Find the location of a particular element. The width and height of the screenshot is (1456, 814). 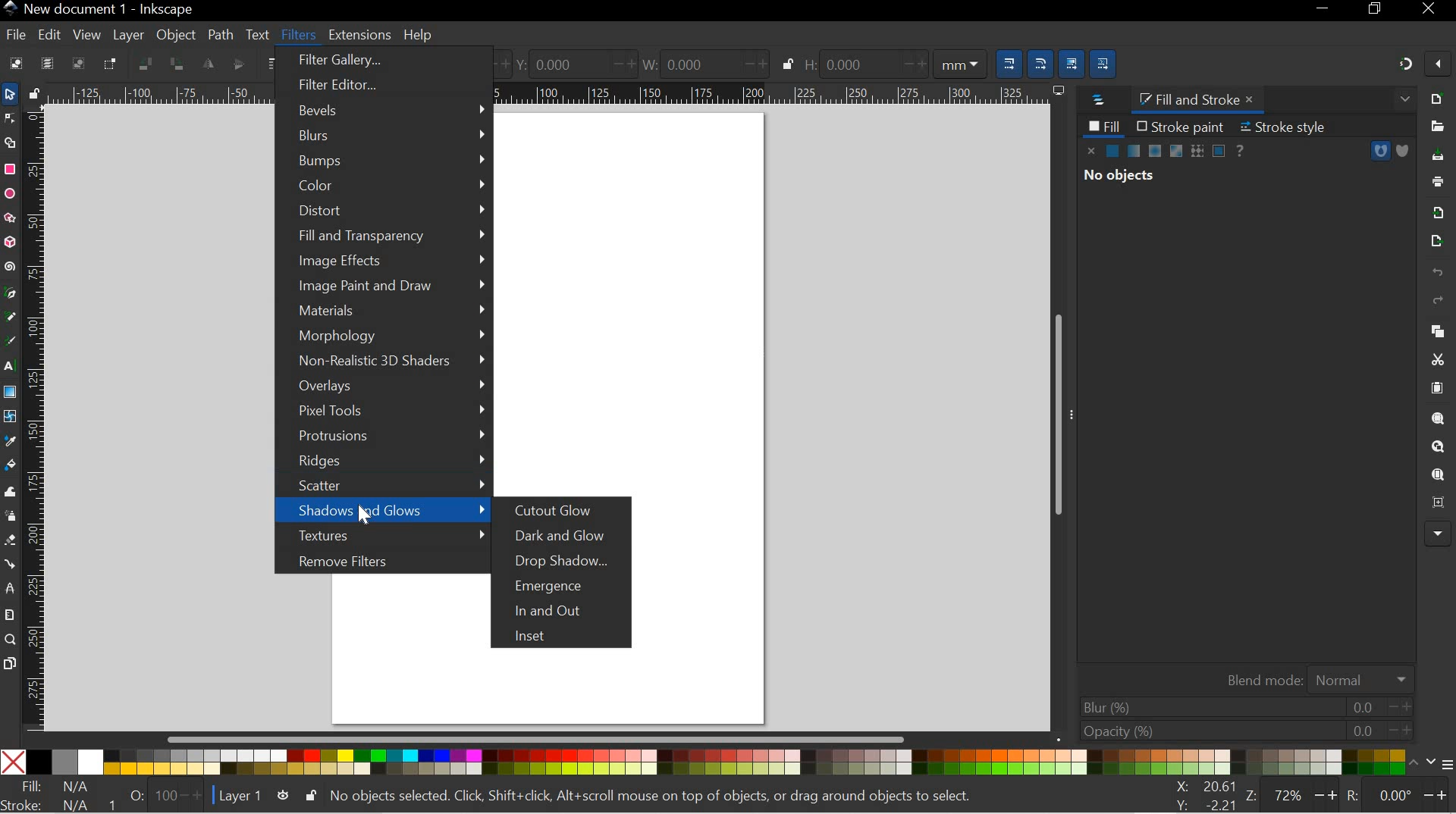

Coordinates is located at coordinates (1200, 796).